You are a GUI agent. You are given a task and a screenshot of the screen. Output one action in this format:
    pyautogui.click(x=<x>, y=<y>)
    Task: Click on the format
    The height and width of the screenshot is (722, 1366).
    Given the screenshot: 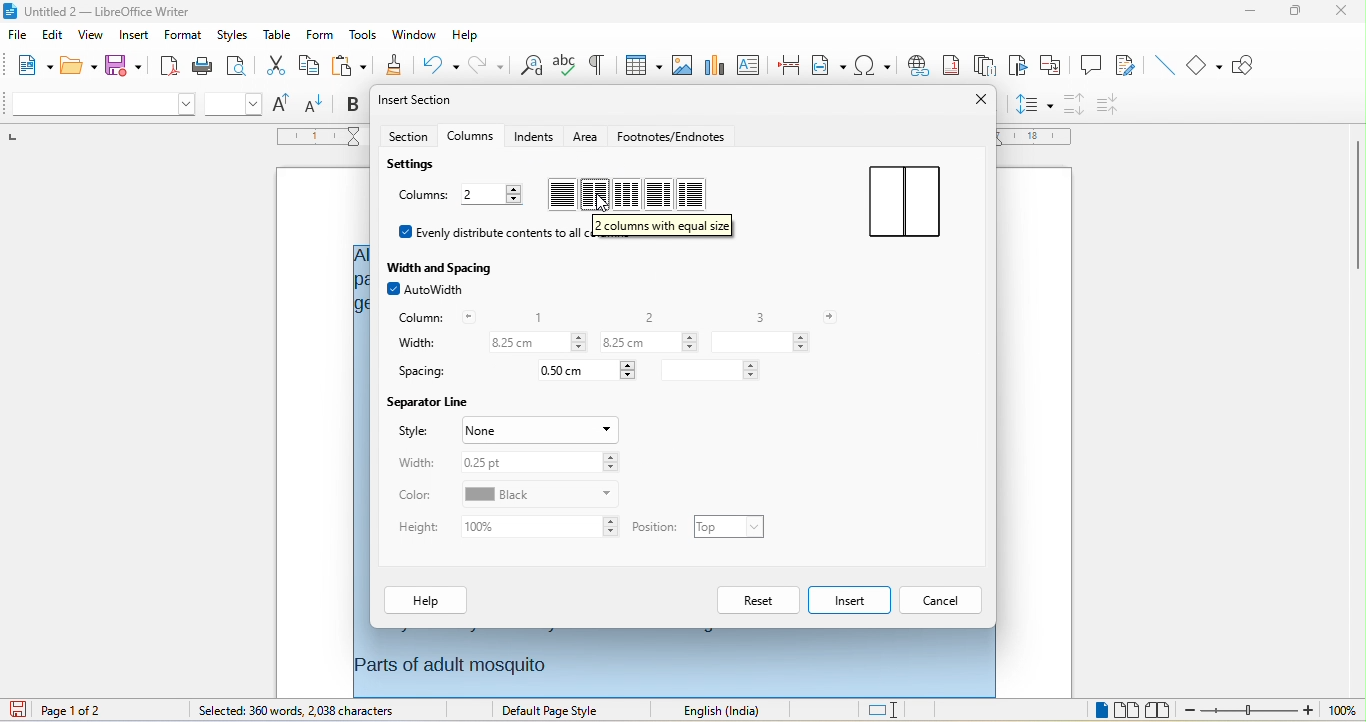 What is the action you would take?
    pyautogui.click(x=182, y=35)
    